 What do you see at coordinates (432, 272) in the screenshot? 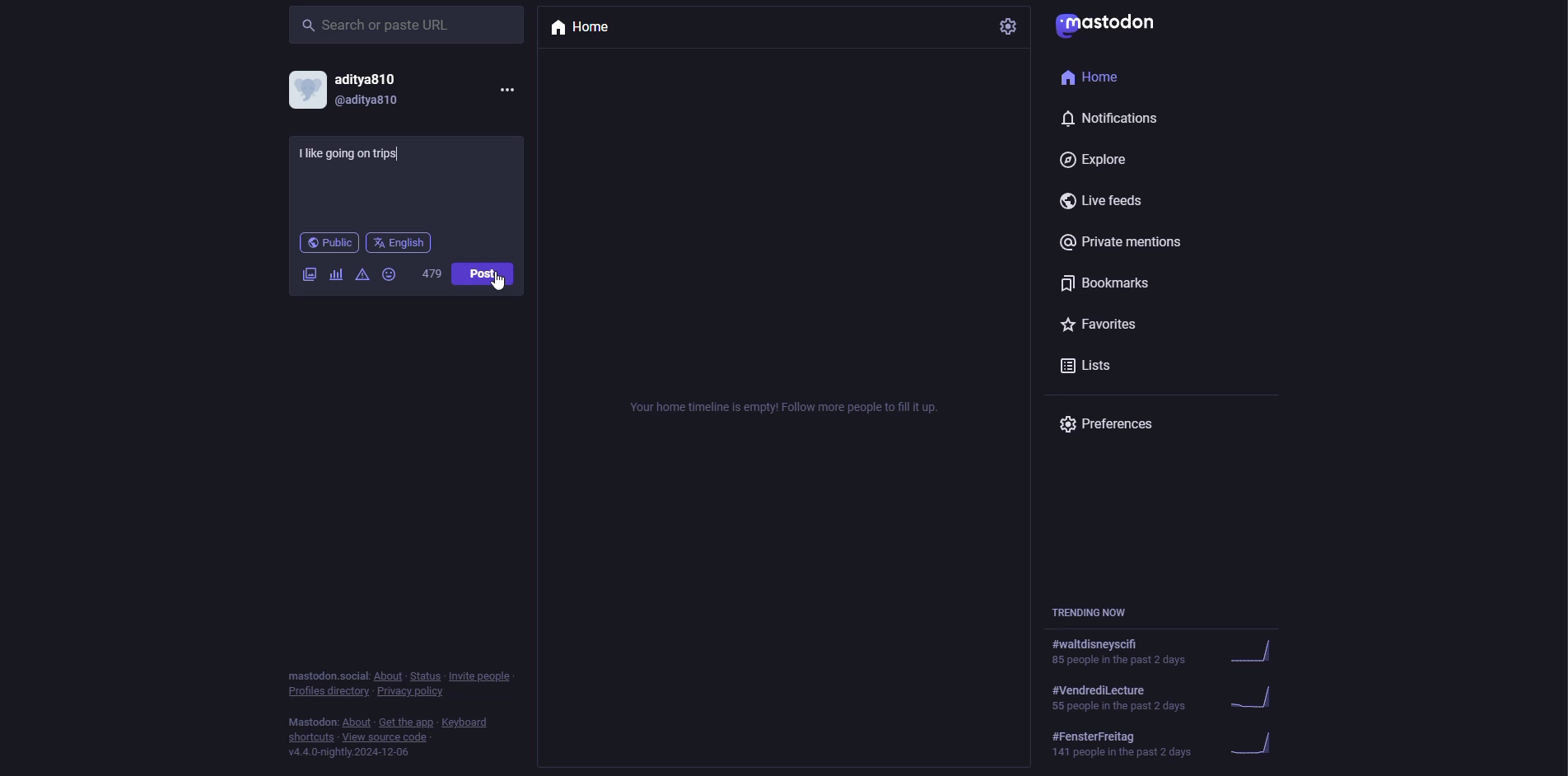
I see `word left` at bounding box center [432, 272].